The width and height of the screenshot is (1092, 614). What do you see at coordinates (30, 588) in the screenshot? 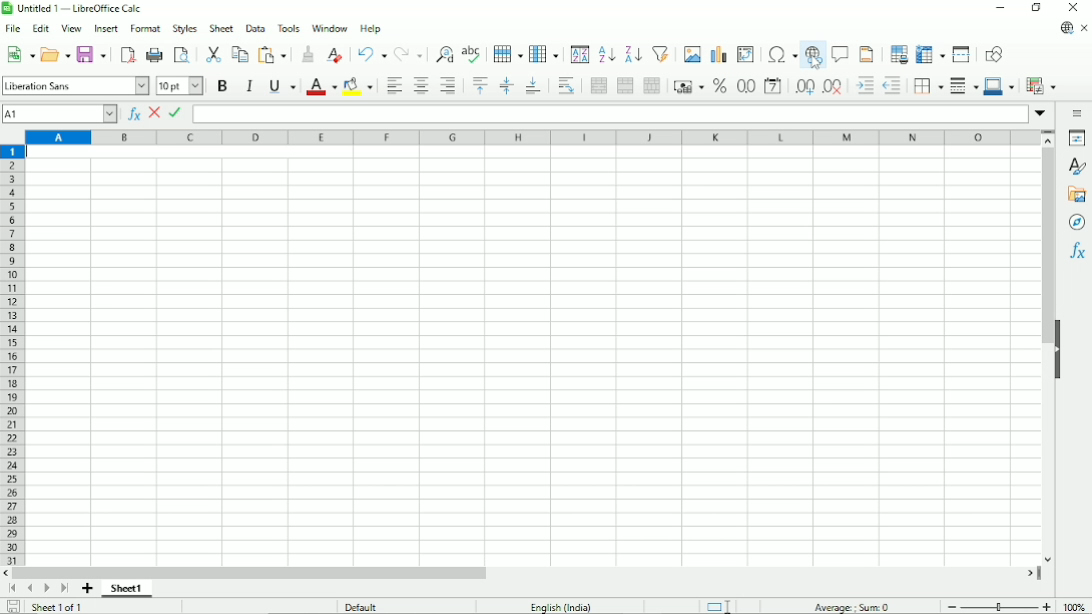
I see `Scroll to previous page` at bounding box center [30, 588].